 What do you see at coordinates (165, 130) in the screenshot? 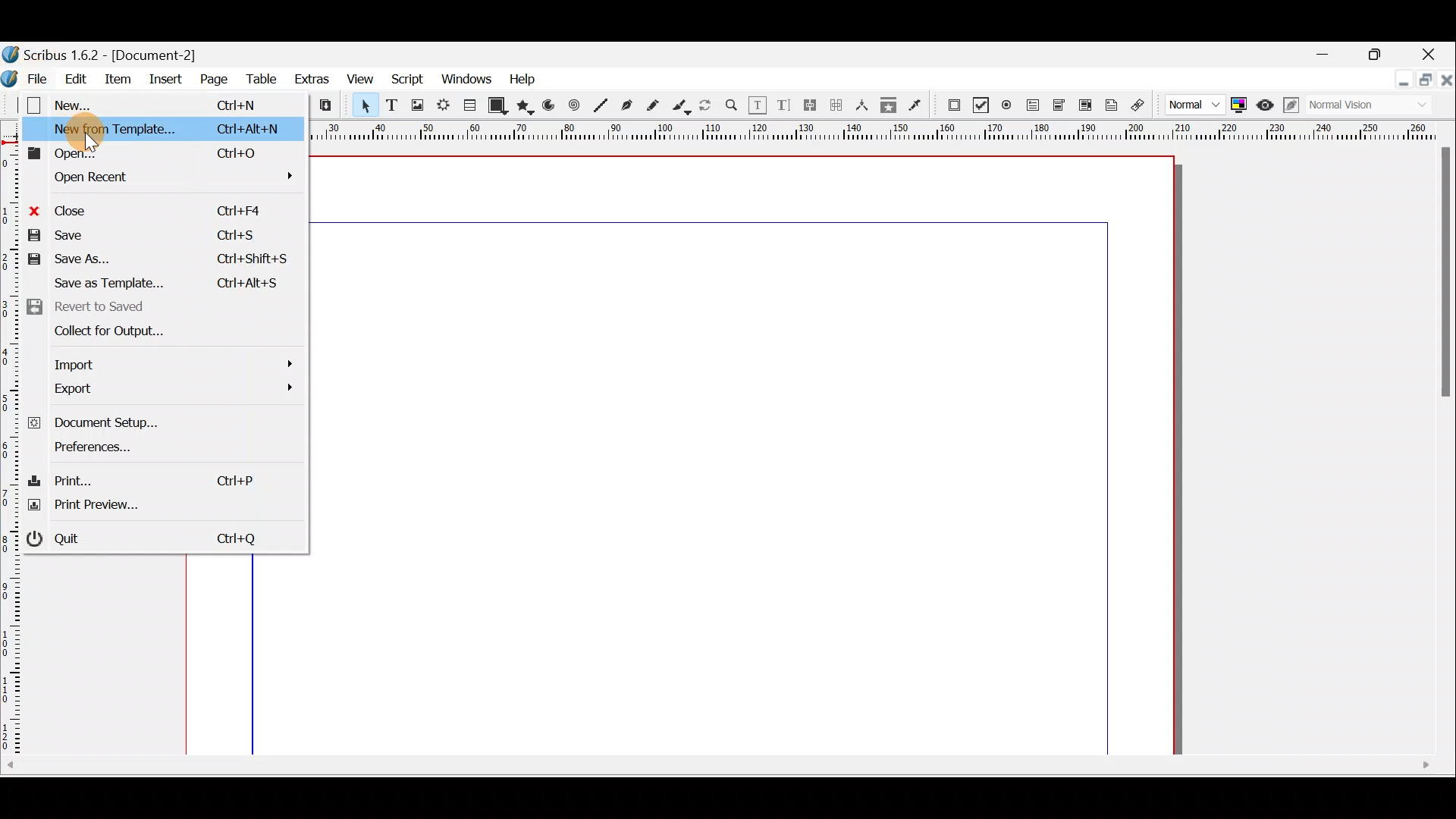
I see `New from template` at bounding box center [165, 130].